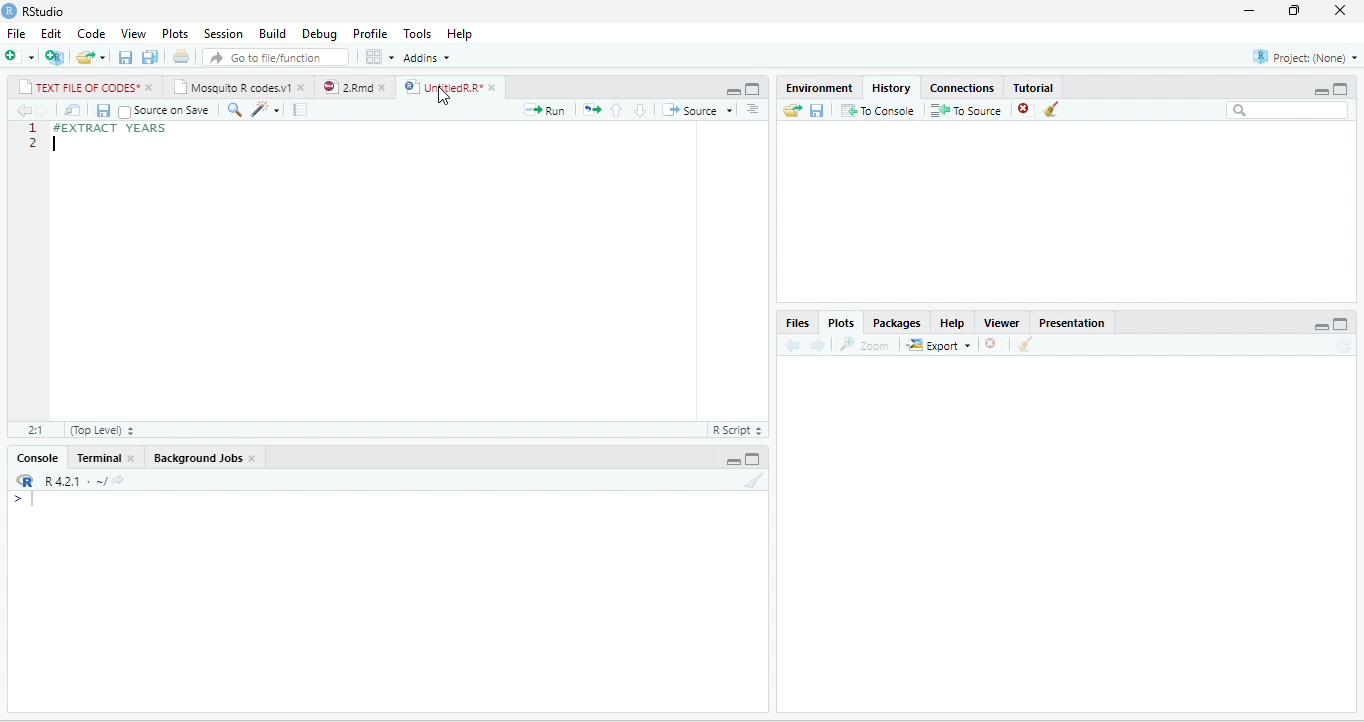 Image resolution: width=1364 pixels, height=722 pixels. Describe the element at coordinates (97, 458) in the screenshot. I see `Terminal ` at that location.